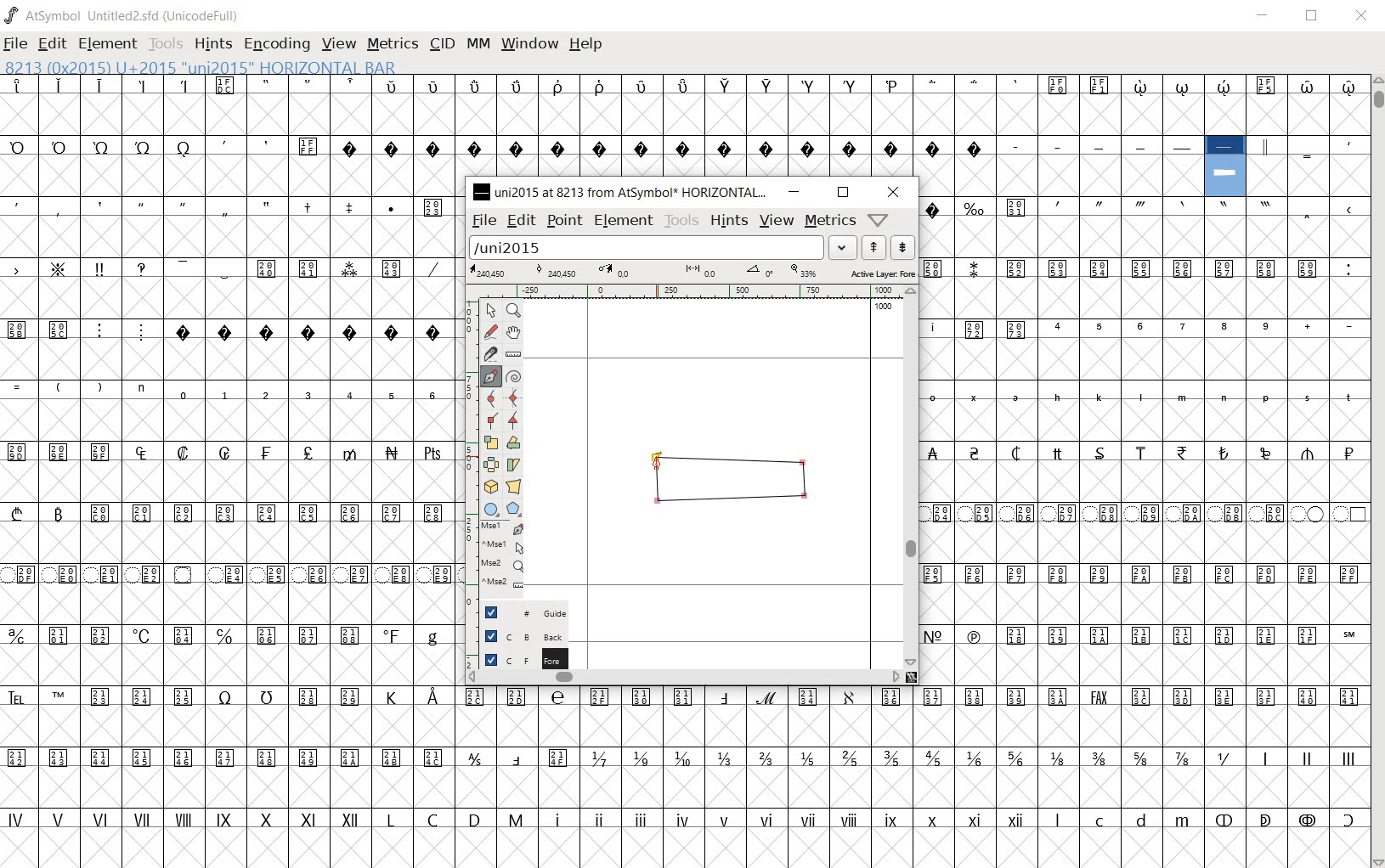 This screenshot has height=868, width=1385. Describe the element at coordinates (490, 421) in the screenshot. I see `Add a corner point` at that location.